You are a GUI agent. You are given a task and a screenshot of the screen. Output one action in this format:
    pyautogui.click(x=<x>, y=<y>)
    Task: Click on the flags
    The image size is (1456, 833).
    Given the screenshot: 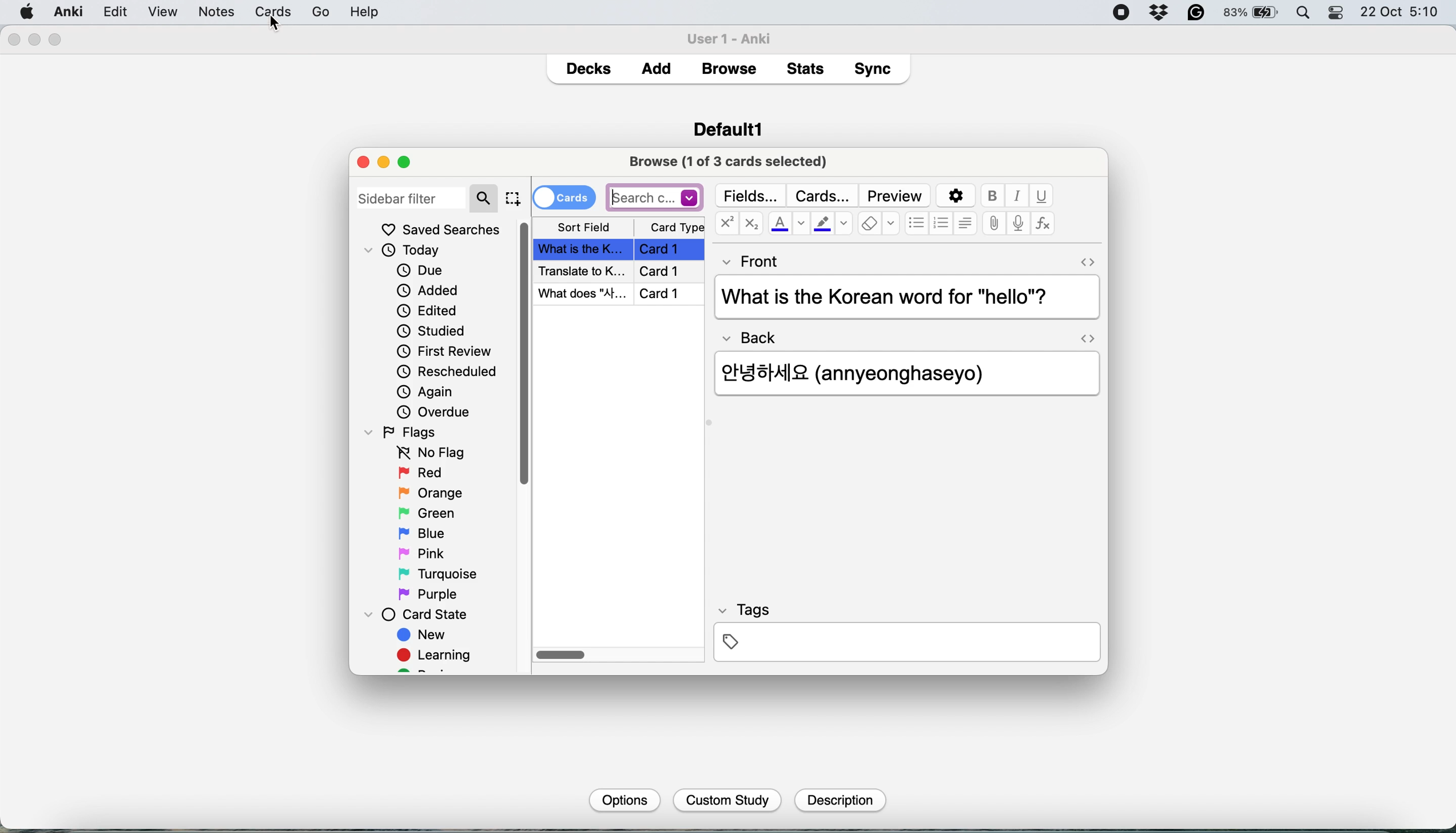 What is the action you would take?
    pyautogui.click(x=404, y=431)
    